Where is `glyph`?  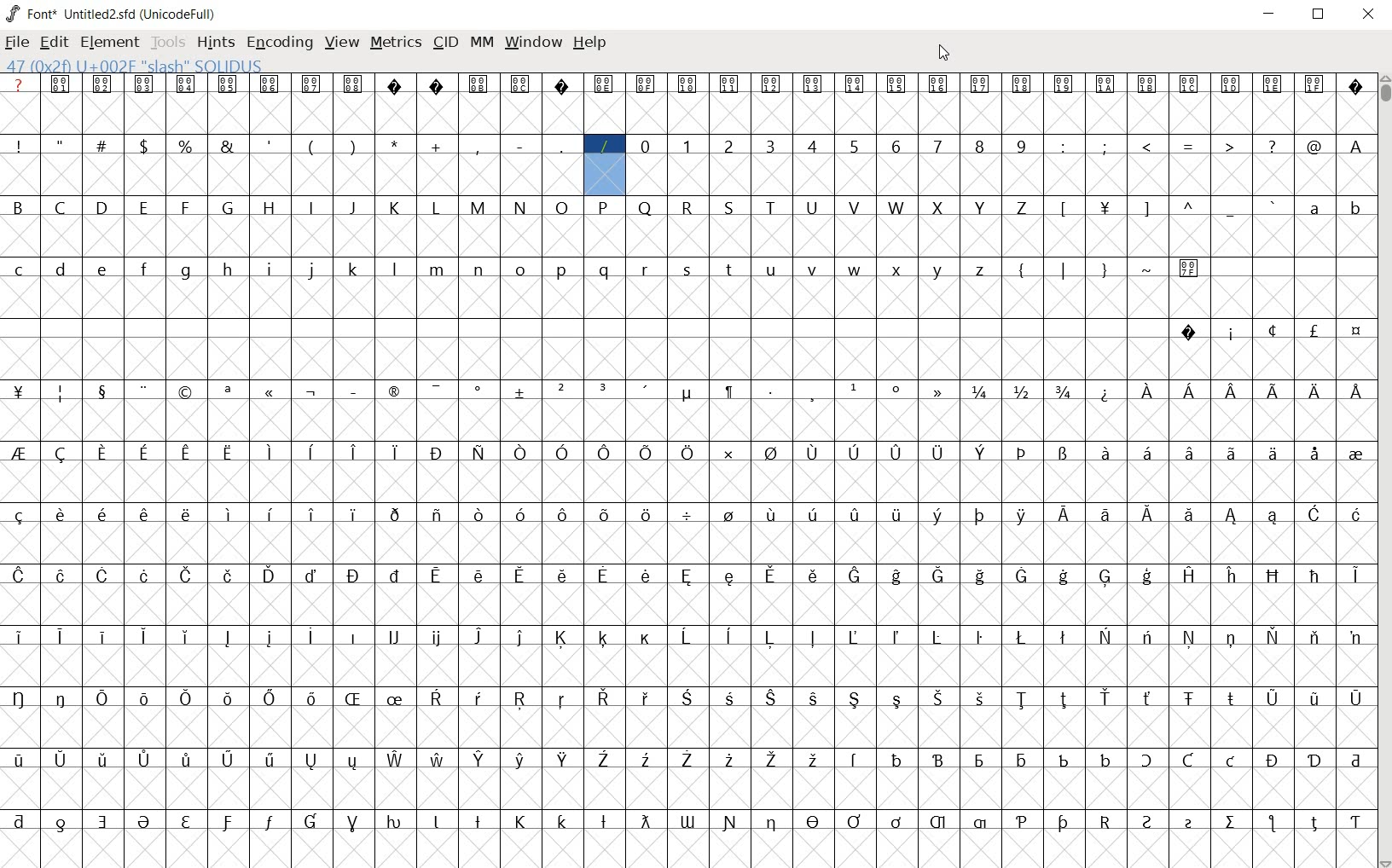
glyph is located at coordinates (145, 391).